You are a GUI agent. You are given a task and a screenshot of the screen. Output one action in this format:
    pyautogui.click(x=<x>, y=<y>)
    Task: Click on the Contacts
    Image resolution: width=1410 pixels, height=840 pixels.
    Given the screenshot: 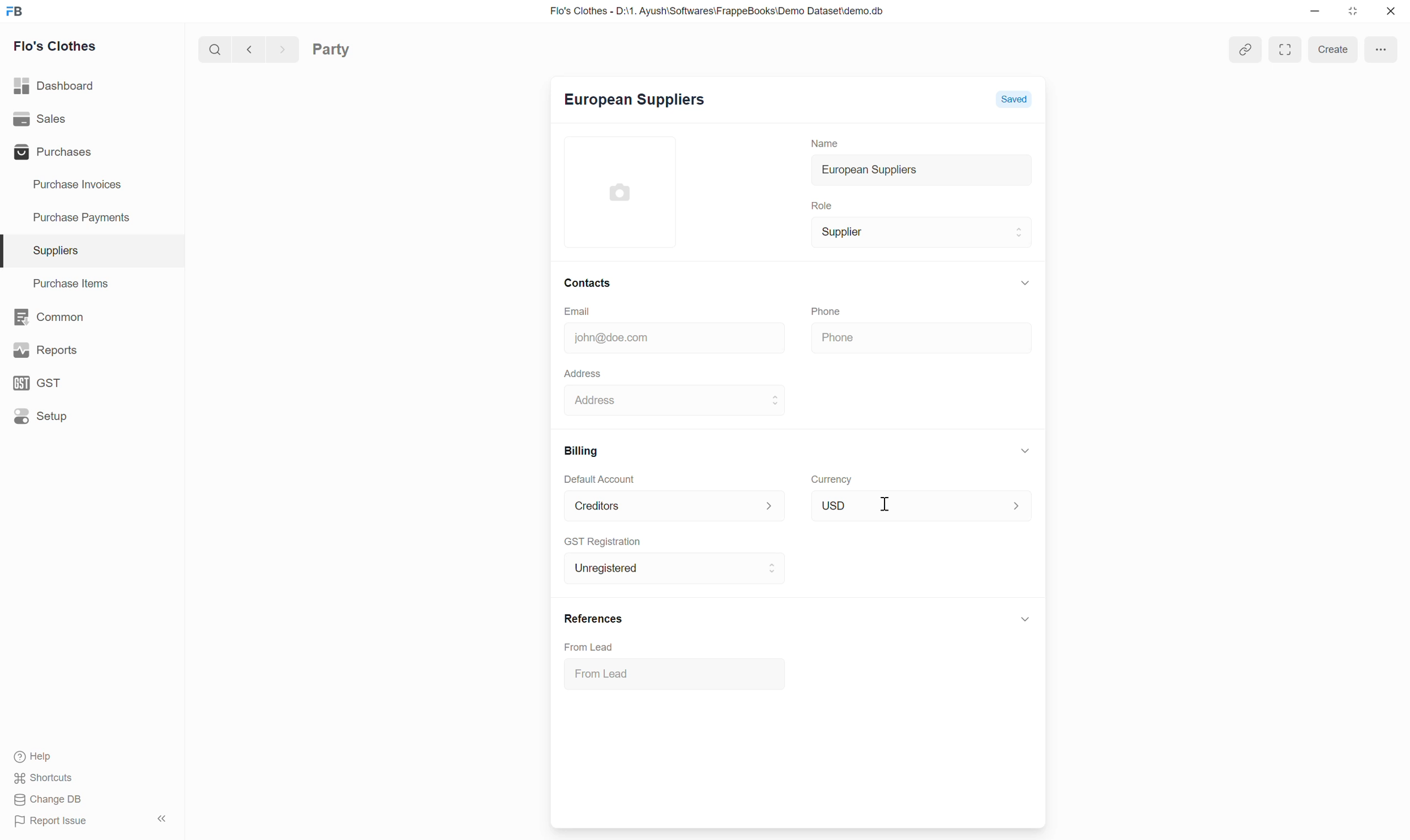 What is the action you would take?
    pyautogui.click(x=598, y=282)
    